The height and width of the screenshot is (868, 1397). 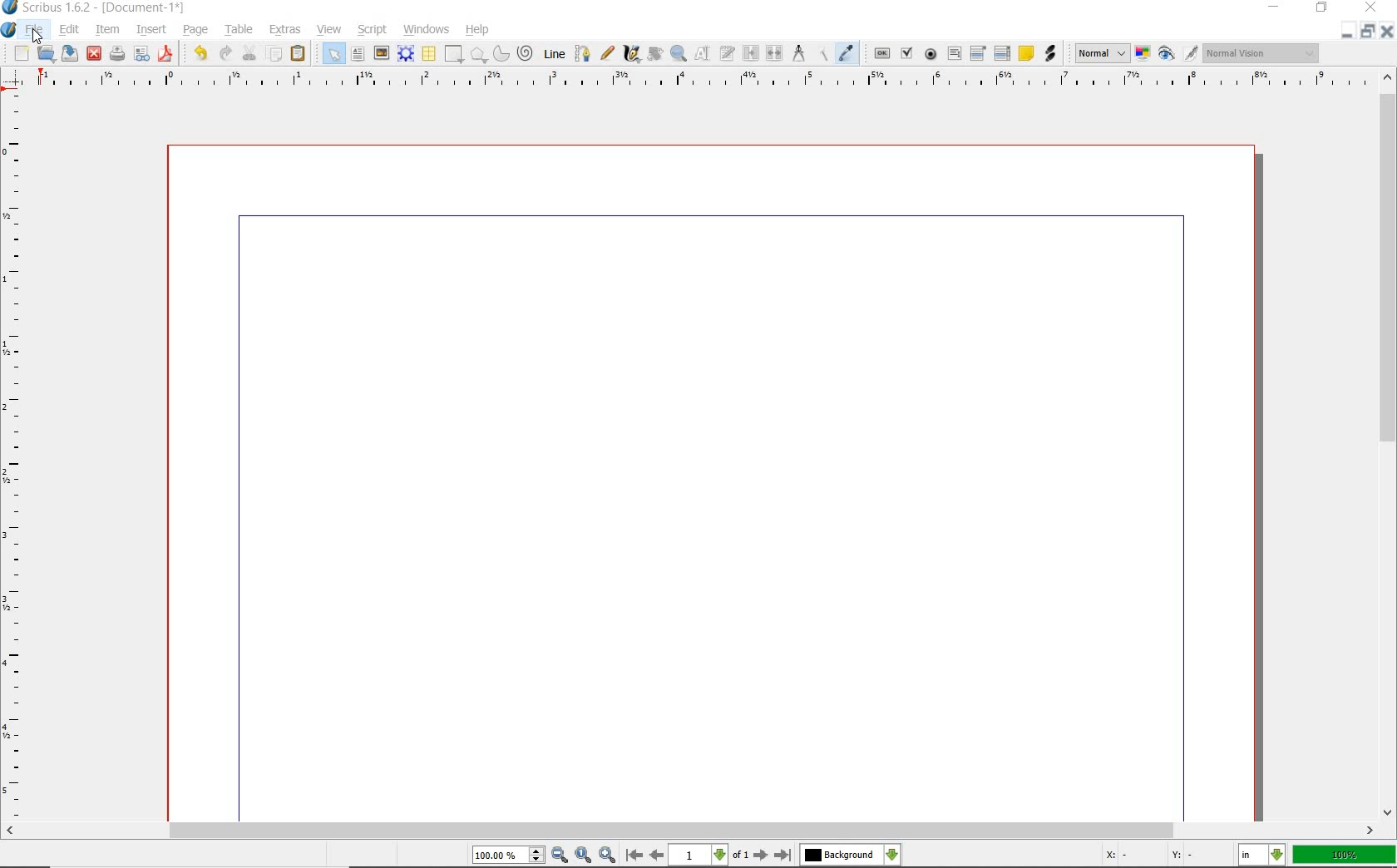 What do you see at coordinates (274, 54) in the screenshot?
I see `copy` at bounding box center [274, 54].